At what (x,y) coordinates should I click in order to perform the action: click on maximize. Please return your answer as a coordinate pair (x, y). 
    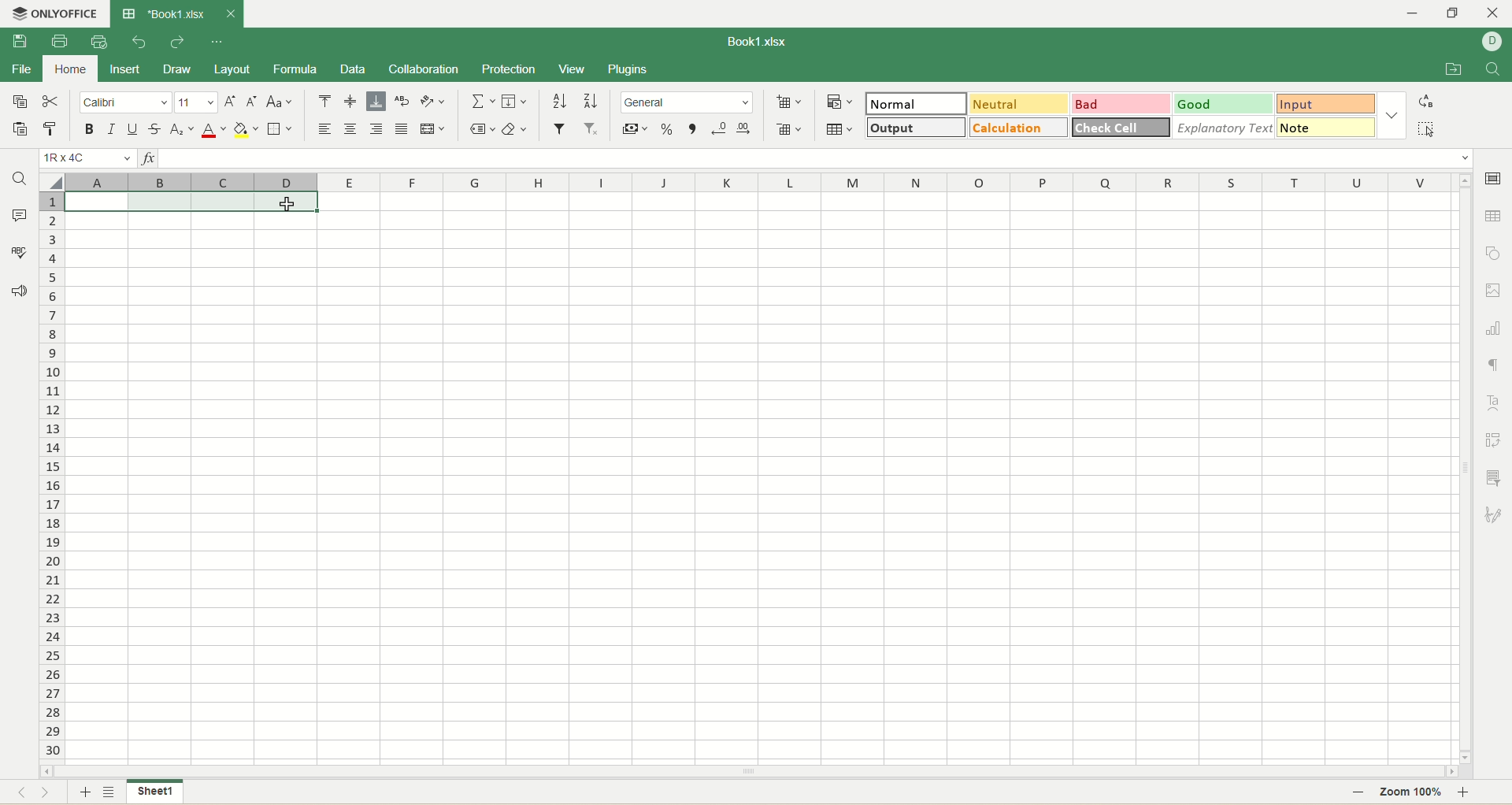
    Looking at the image, I should click on (1457, 12).